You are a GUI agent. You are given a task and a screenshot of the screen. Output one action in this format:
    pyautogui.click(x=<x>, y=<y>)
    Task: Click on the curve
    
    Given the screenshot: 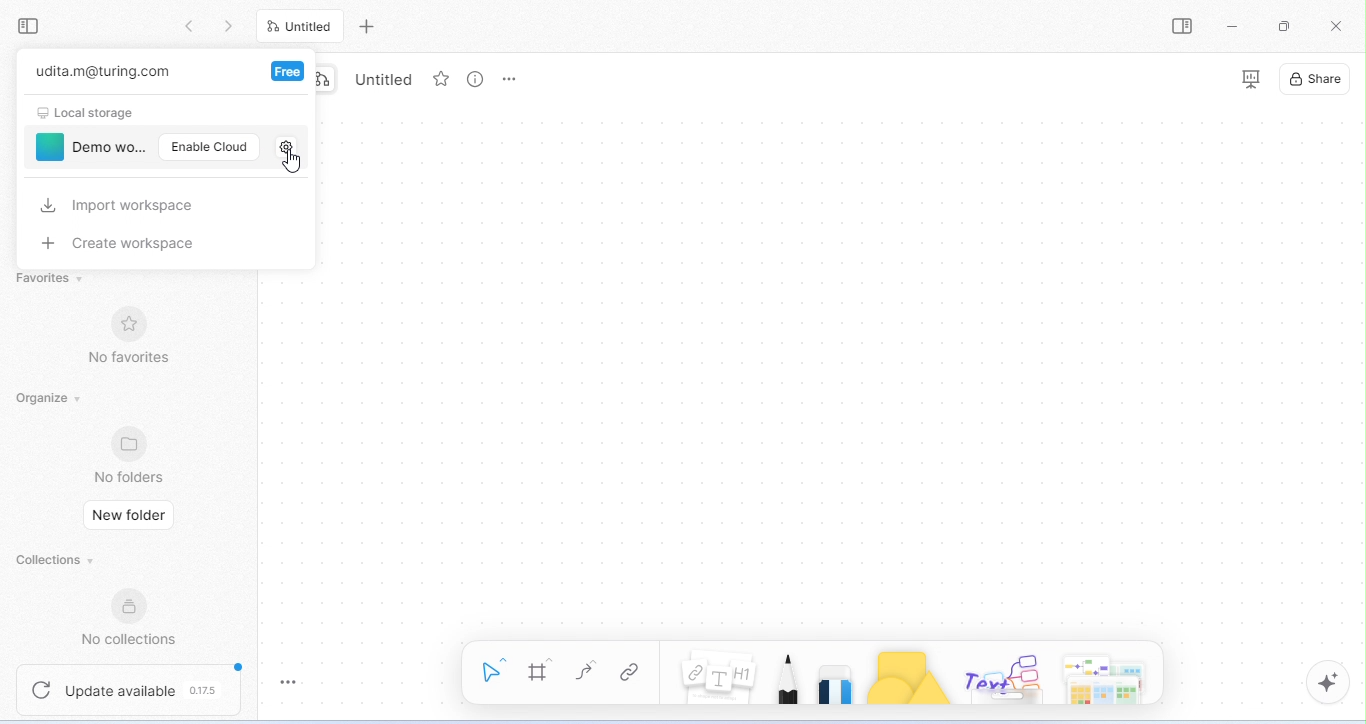 What is the action you would take?
    pyautogui.click(x=587, y=671)
    